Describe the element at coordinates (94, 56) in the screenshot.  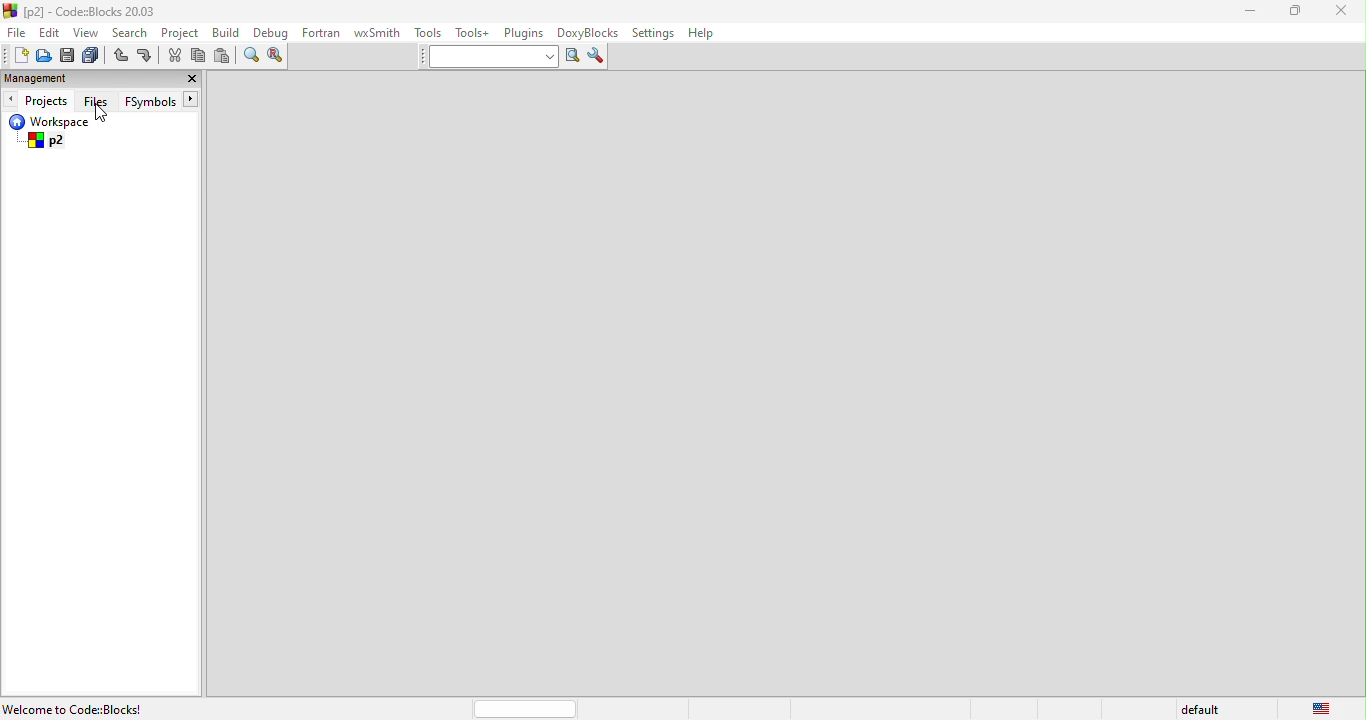
I see `save everything` at that location.